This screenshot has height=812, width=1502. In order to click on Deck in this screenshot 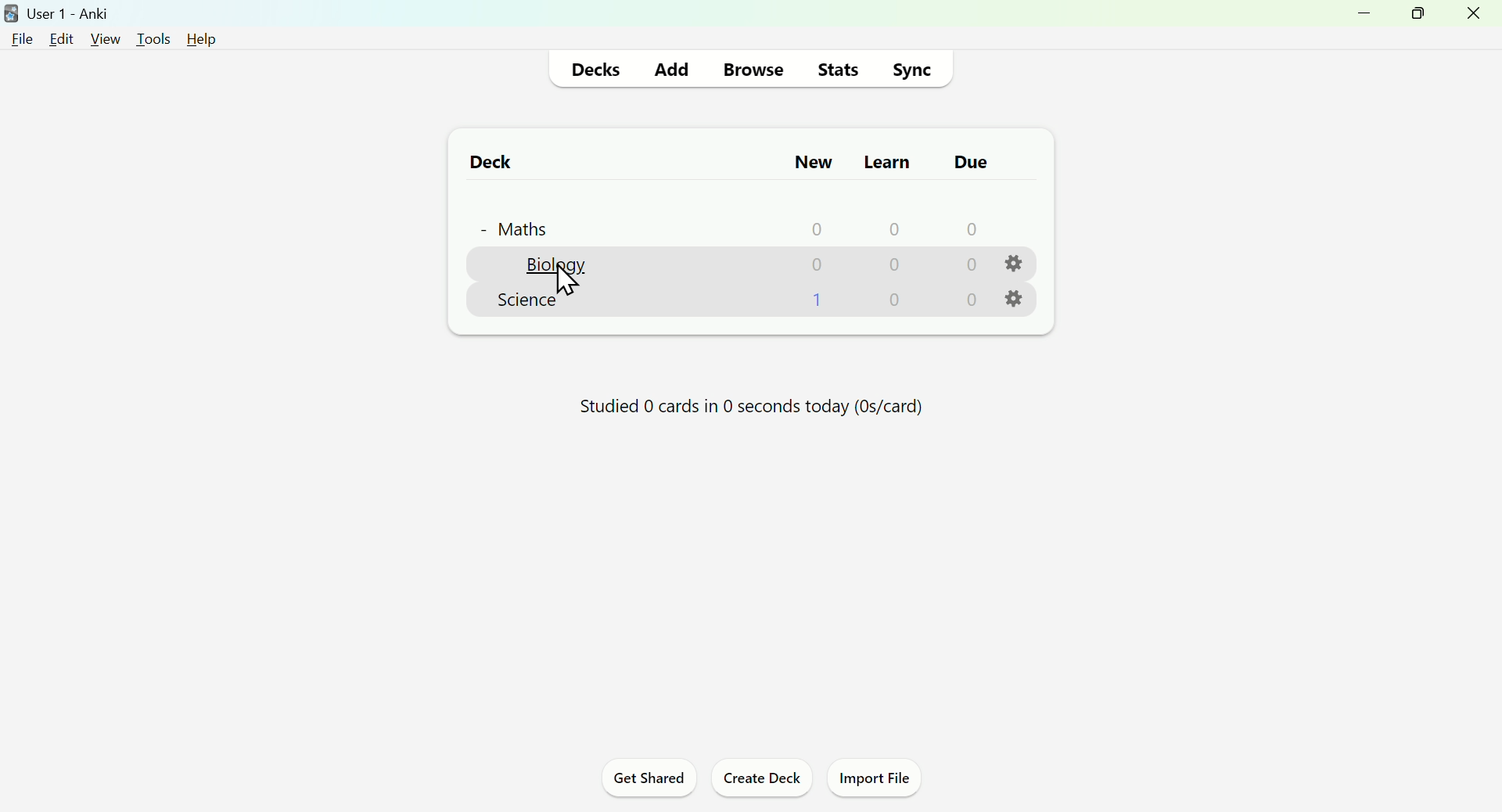, I will do `click(483, 161)`.